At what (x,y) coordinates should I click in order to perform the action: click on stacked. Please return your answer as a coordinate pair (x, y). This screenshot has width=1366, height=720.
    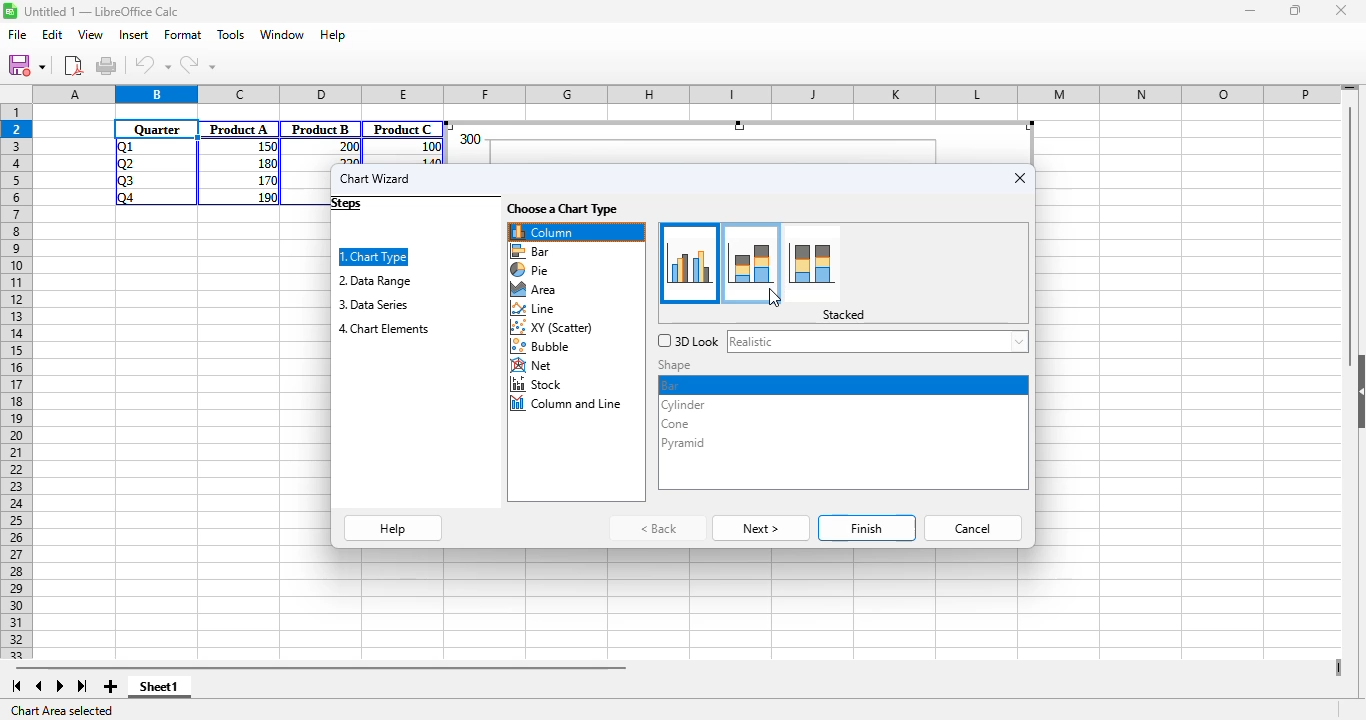
    Looking at the image, I should click on (751, 263).